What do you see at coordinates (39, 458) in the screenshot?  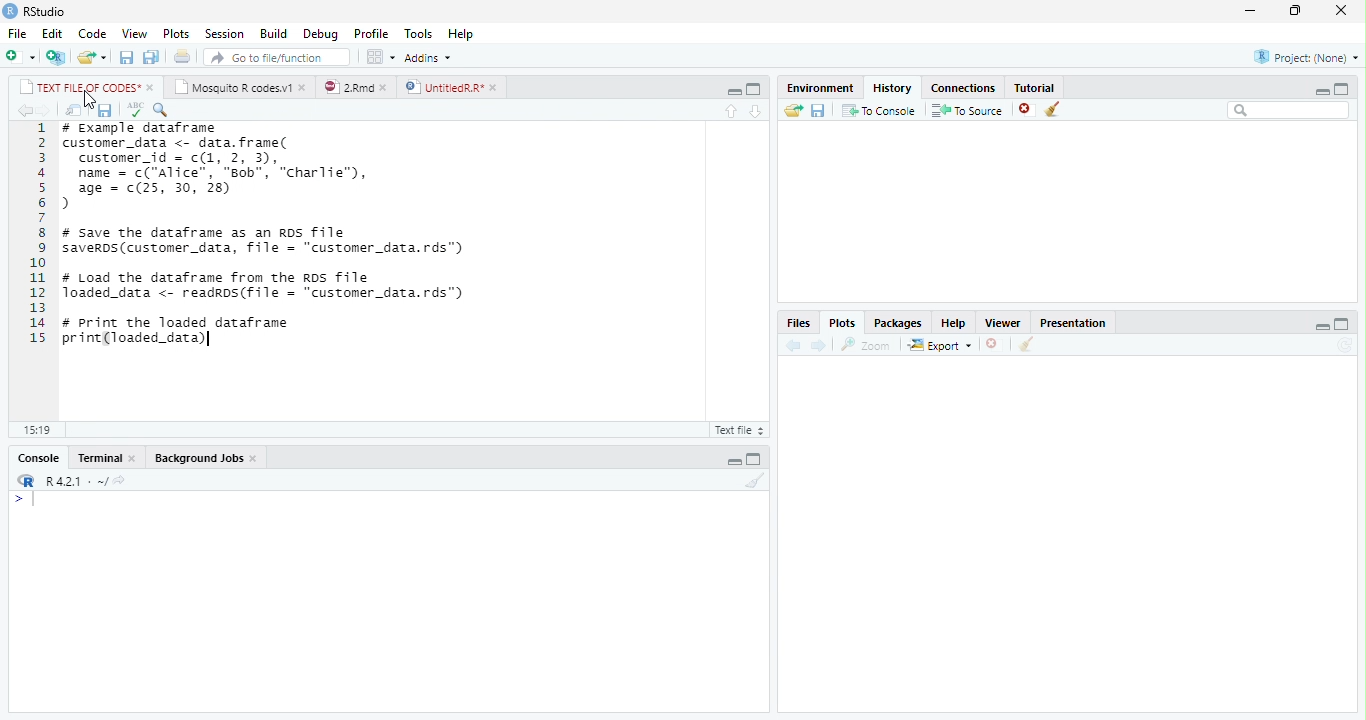 I see `Console` at bounding box center [39, 458].